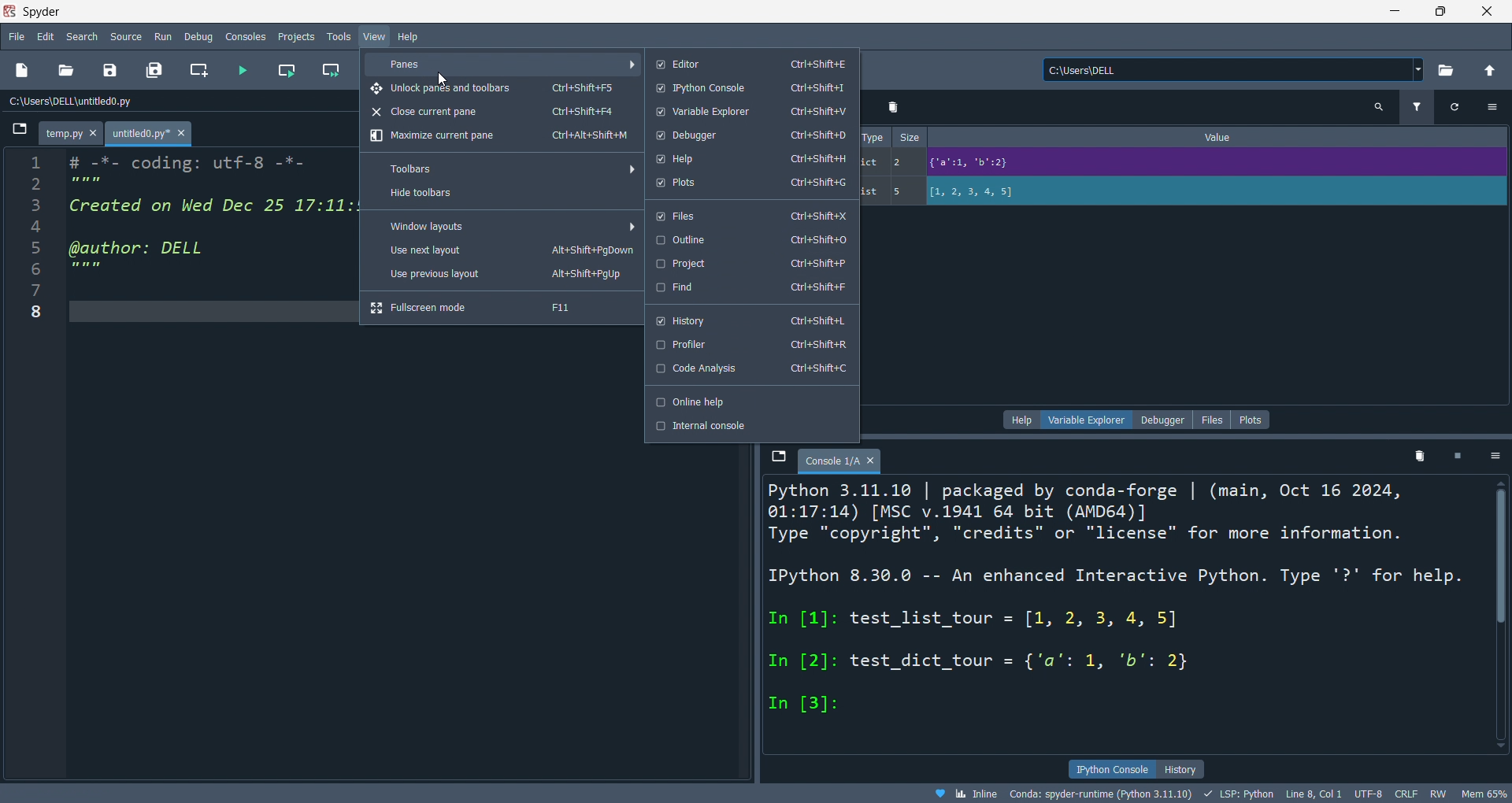  What do you see at coordinates (1020, 419) in the screenshot?
I see `help` at bounding box center [1020, 419].